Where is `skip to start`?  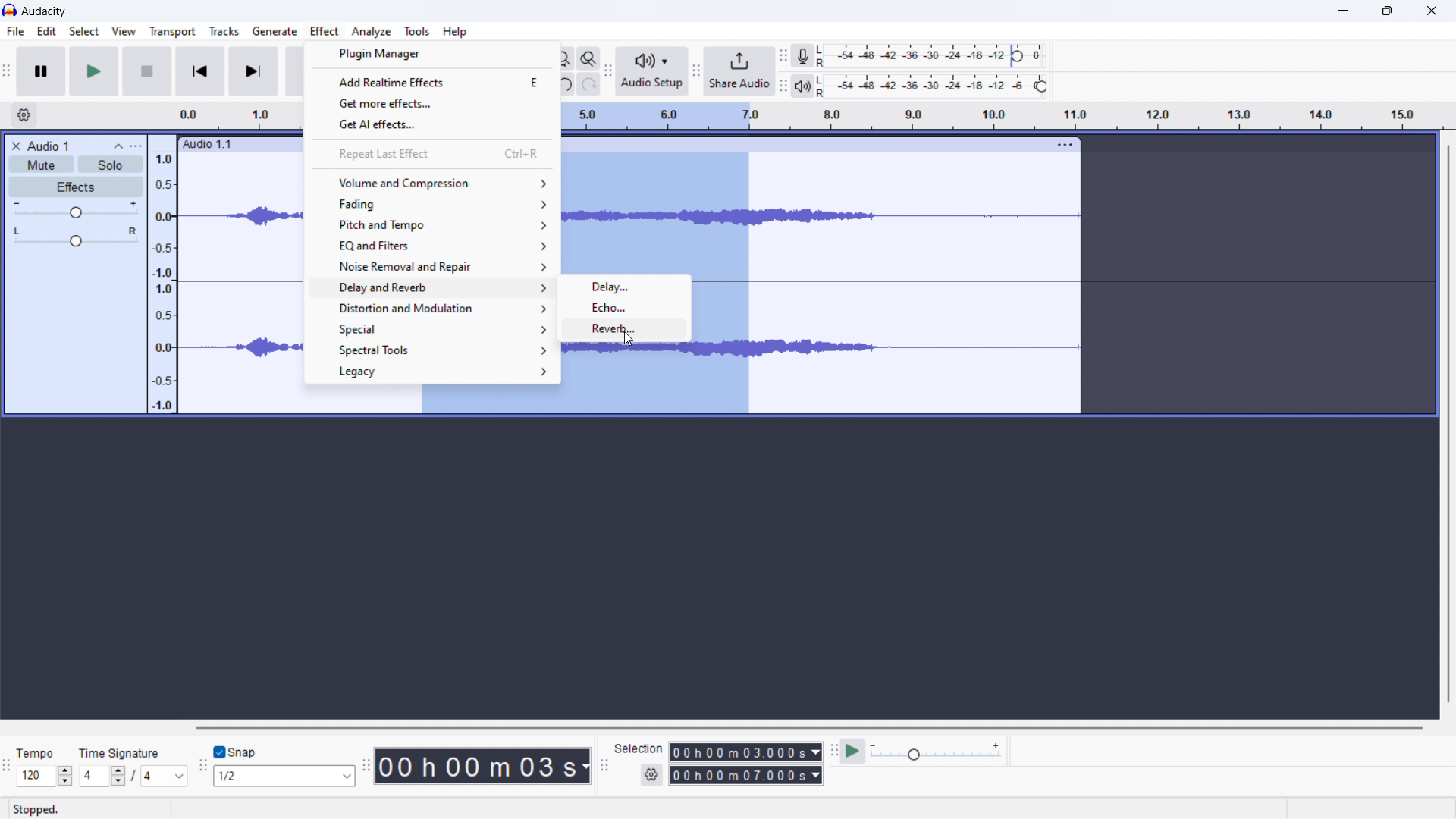 skip to start is located at coordinates (199, 72).